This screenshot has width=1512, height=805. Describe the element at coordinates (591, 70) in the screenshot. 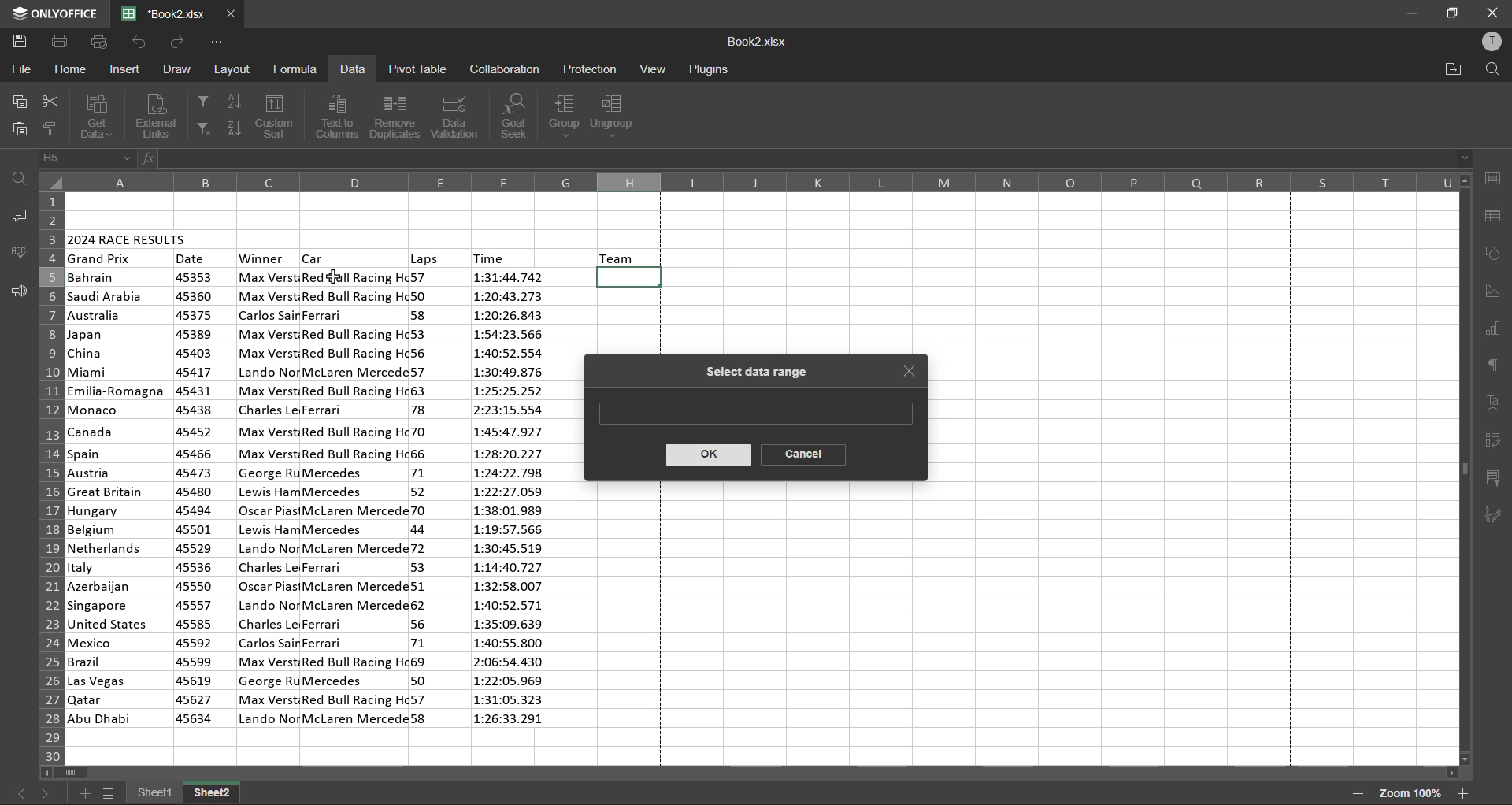

I see `protection` at that location.